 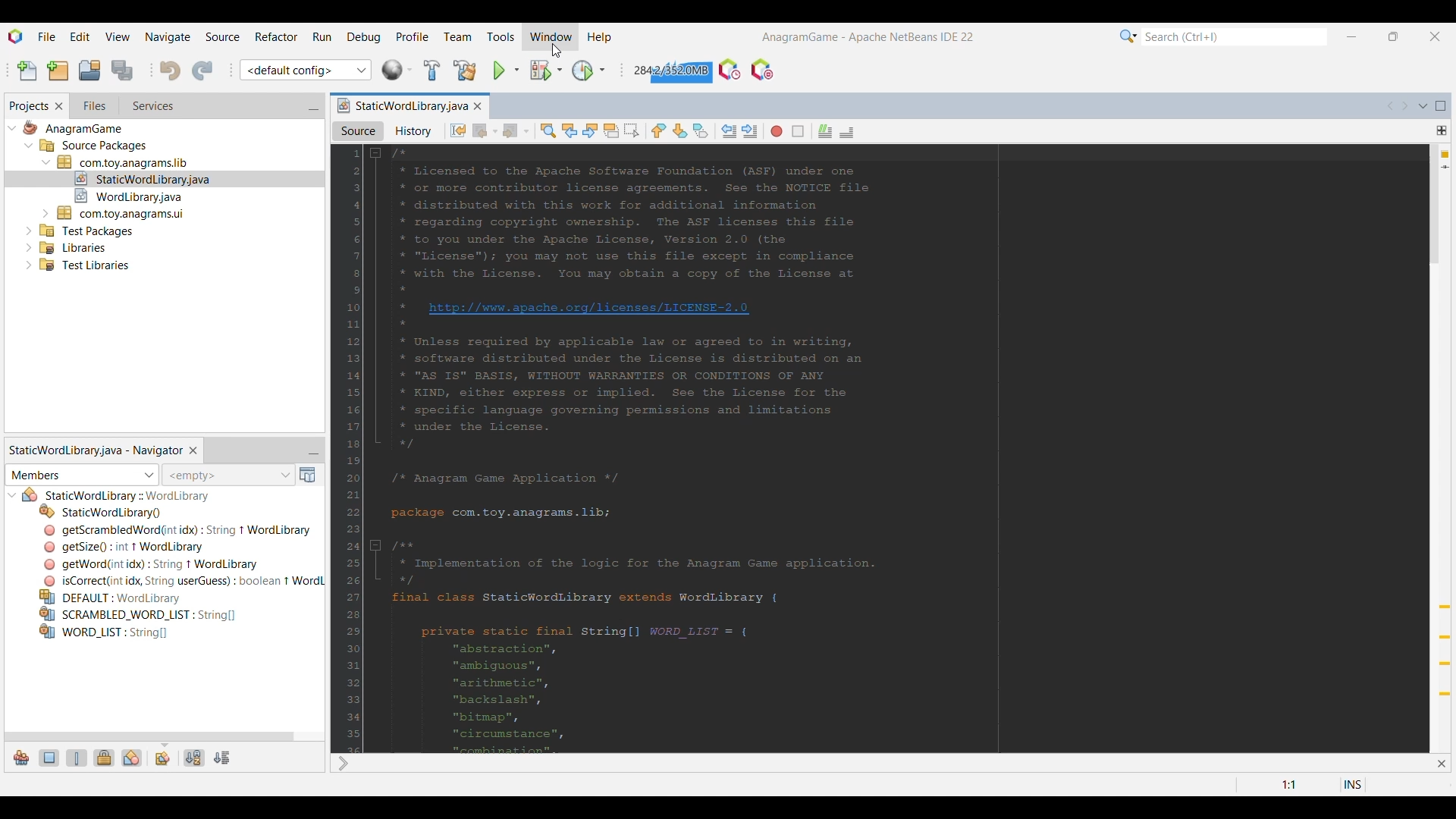 What do you see at coordinates (222, 758) in the screenshot?
I see `Sort by source` at bounding box center [222, 758].